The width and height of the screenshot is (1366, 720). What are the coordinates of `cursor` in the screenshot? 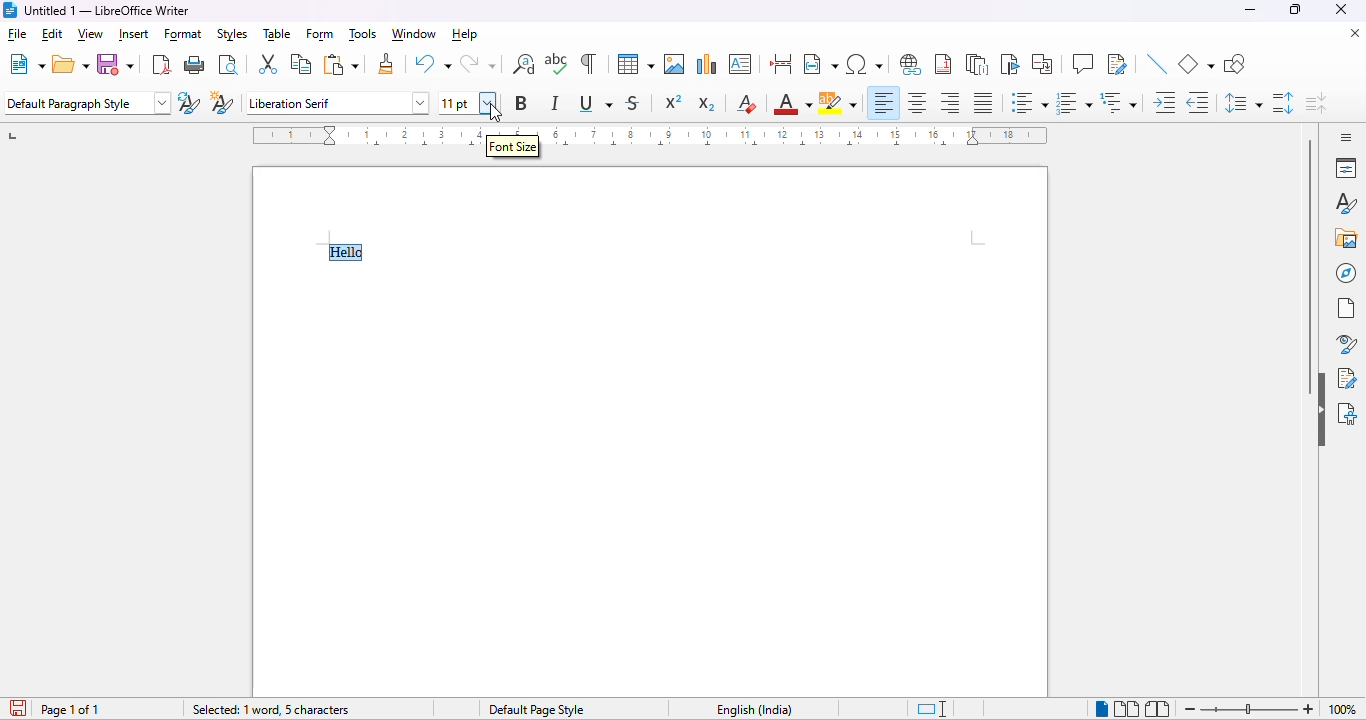 It's located at (495, 114).